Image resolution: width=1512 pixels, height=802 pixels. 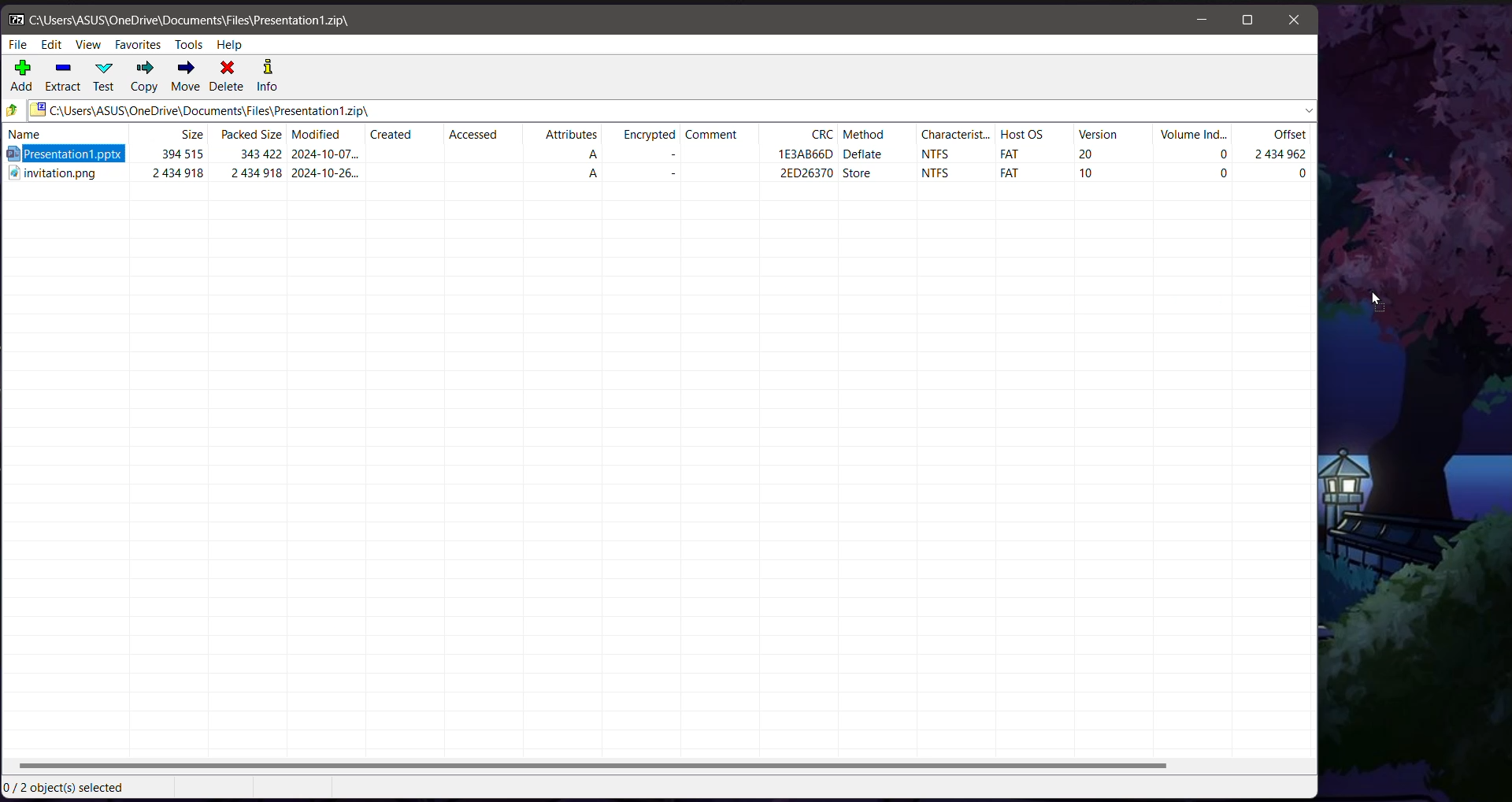 What do you see at coordinates (1088, 154) in the screenshot?
I see `20` at bounding box center [1088, 154].